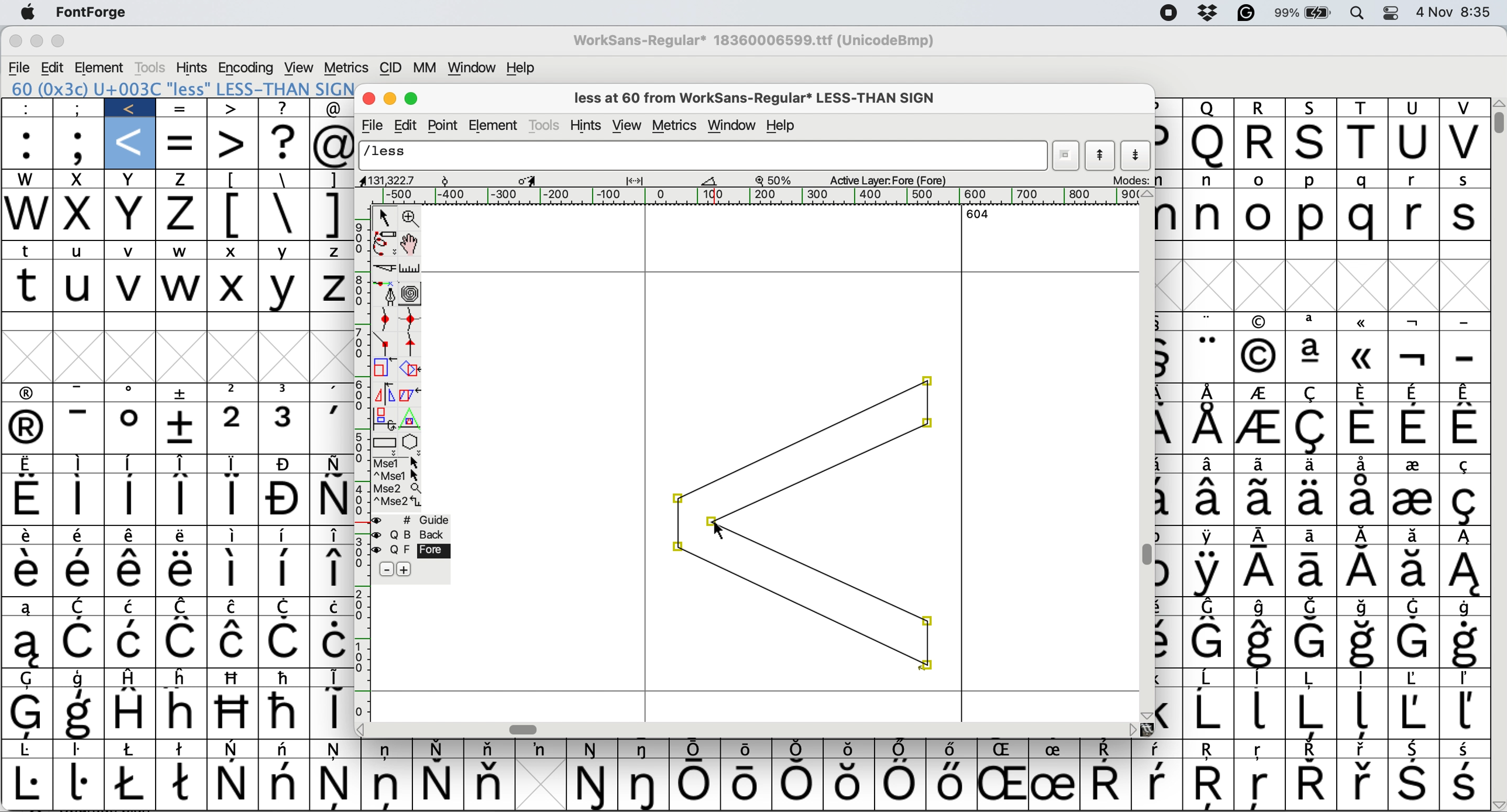  What do you see at coordinates (1312, 144) in the screenshot?
I see `s` at bounding box center [1312, 144].